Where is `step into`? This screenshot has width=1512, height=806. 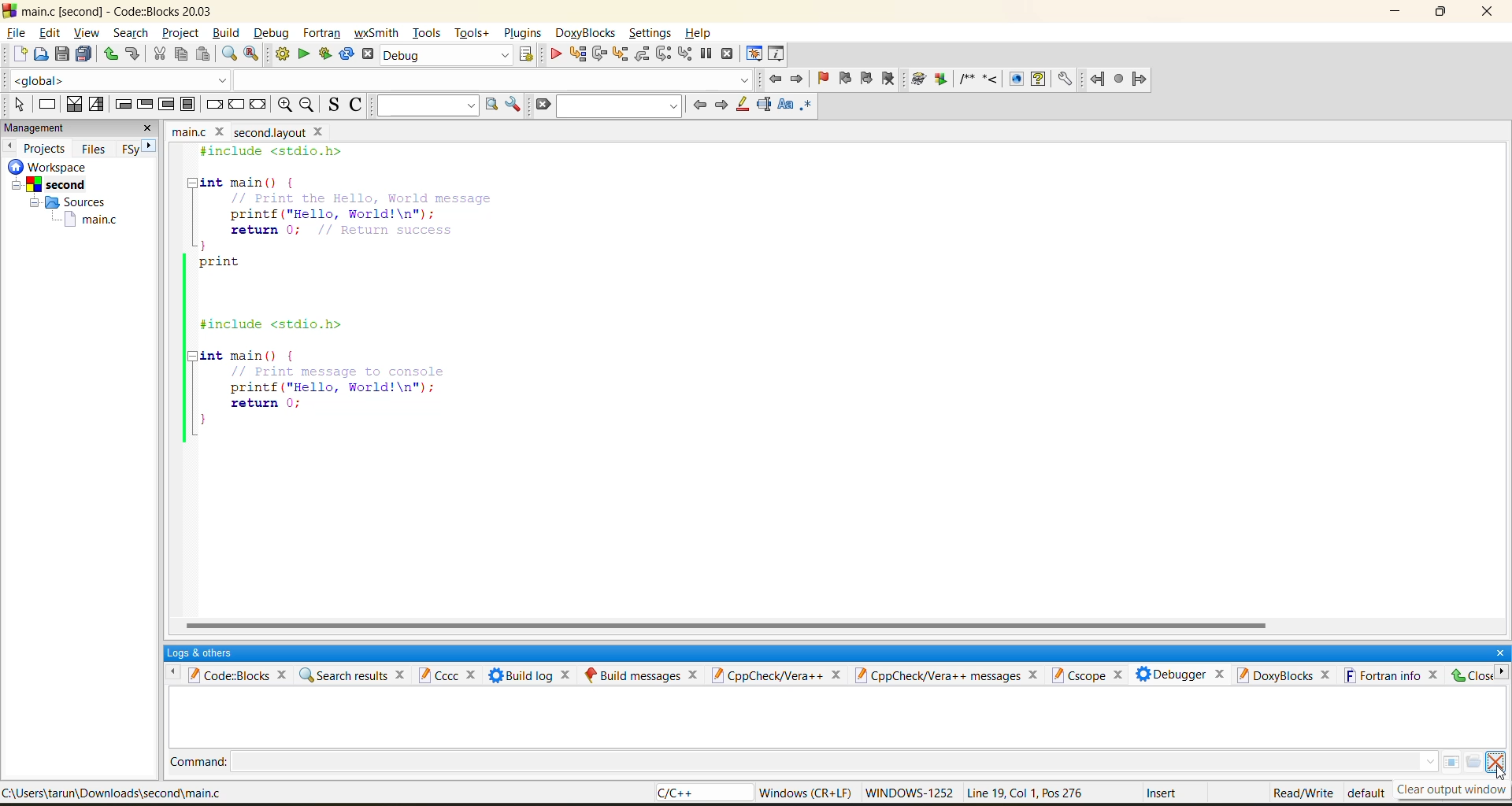 step into is located at coordinates (621, 54).